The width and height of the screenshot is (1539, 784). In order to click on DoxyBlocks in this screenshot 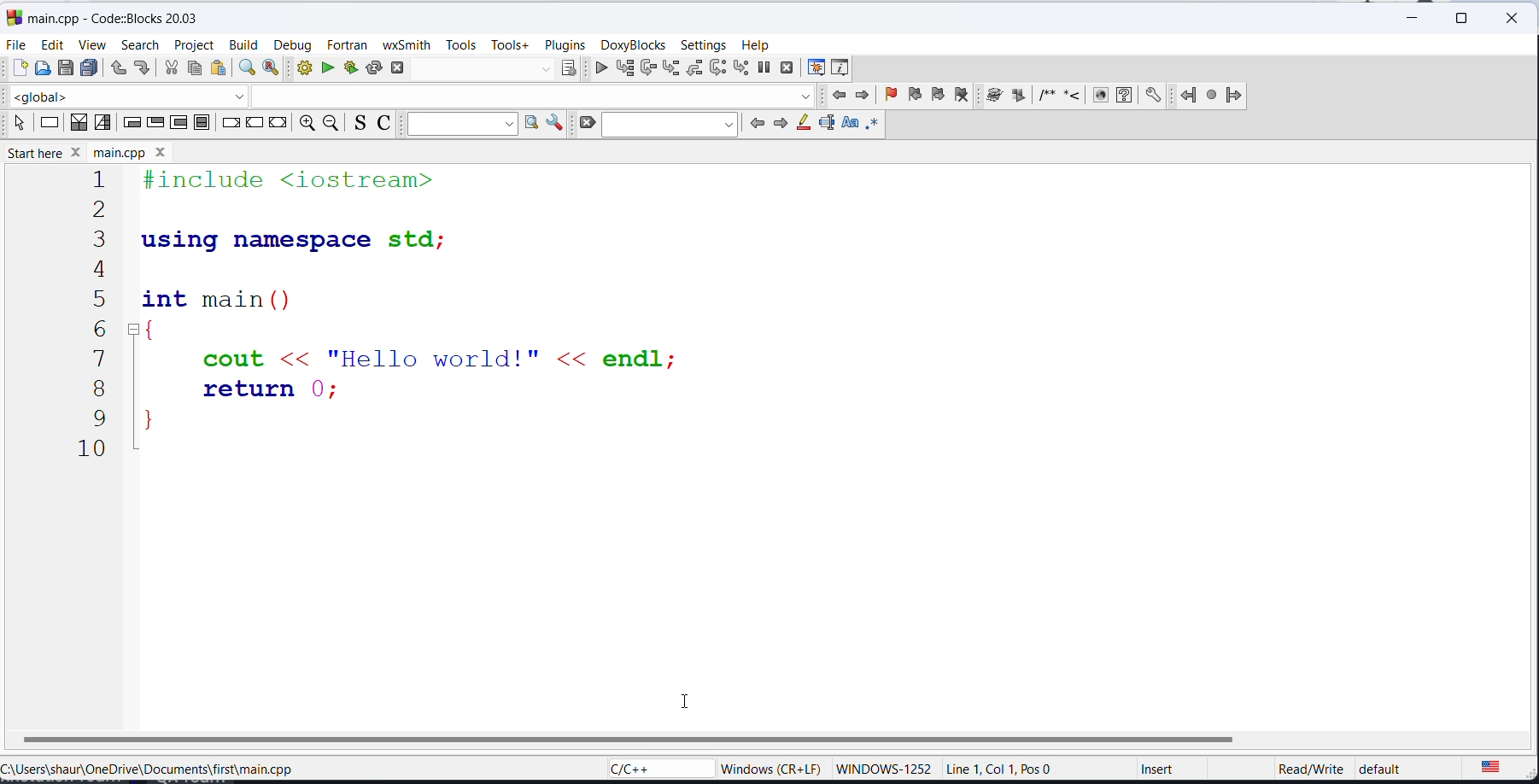, I will do `click(635, 45)`.